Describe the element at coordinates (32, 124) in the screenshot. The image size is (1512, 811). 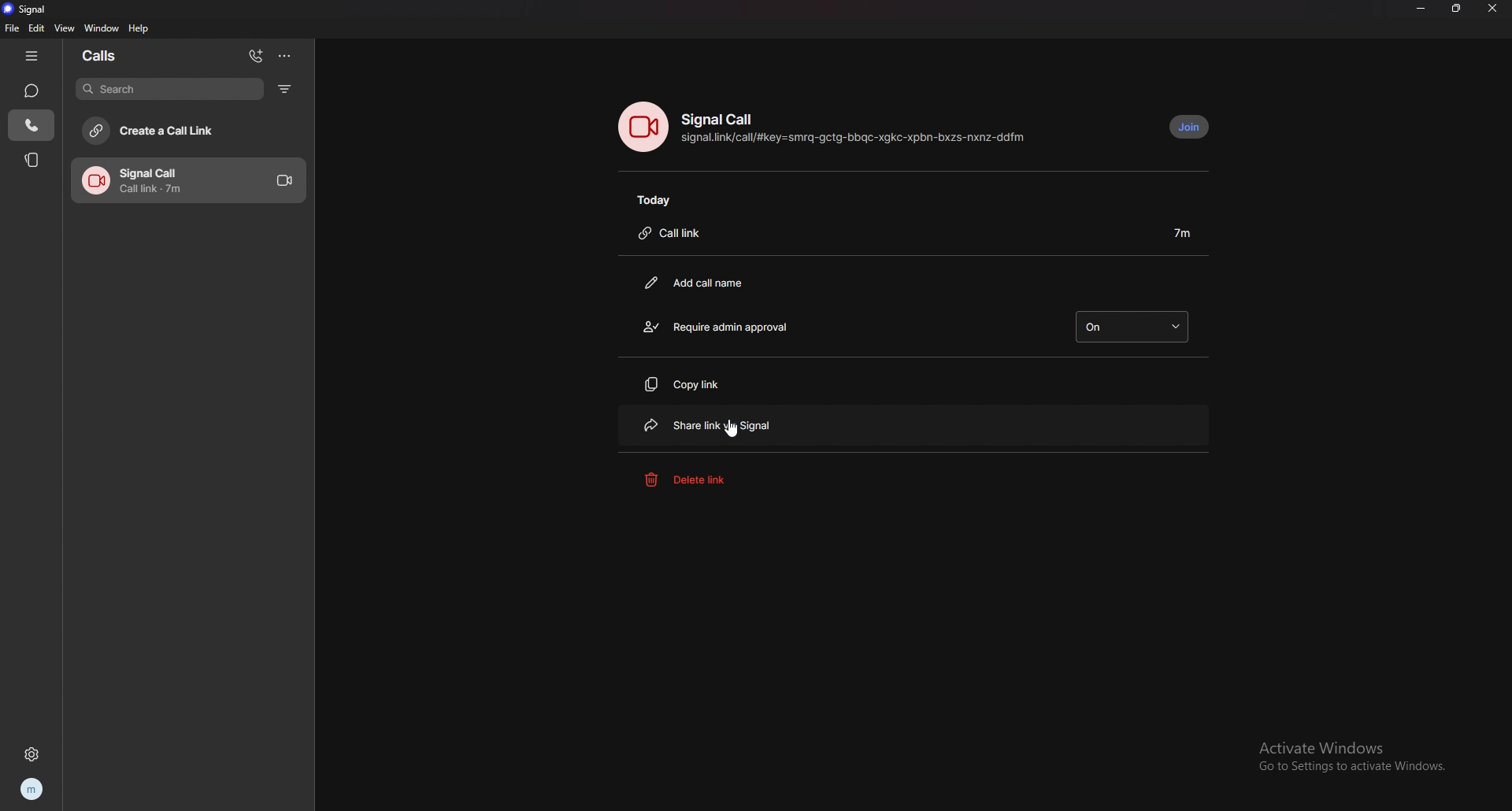
I see `calls` at that location.